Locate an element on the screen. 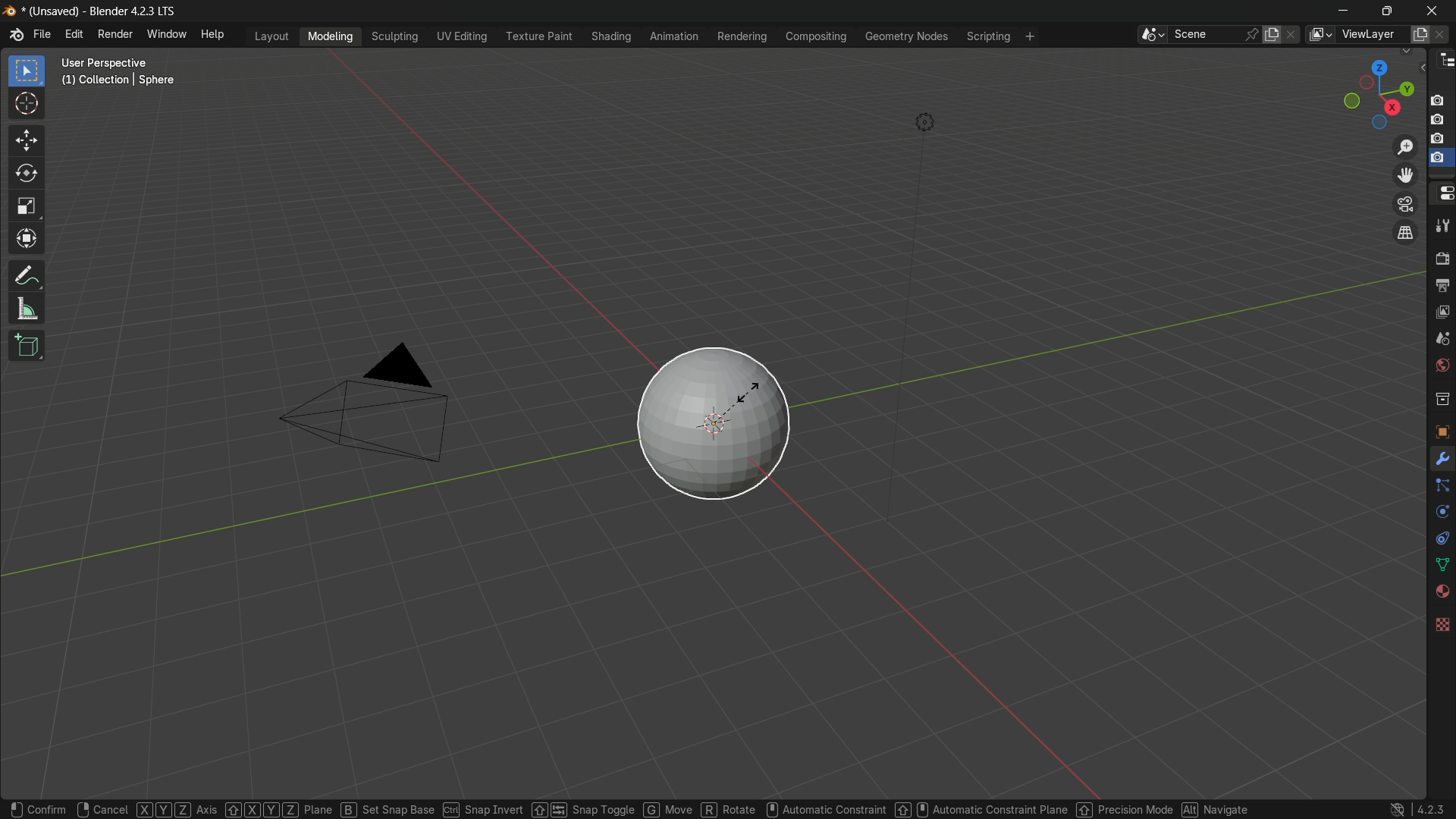  uv editing menu is located at coordinates (463, 36).